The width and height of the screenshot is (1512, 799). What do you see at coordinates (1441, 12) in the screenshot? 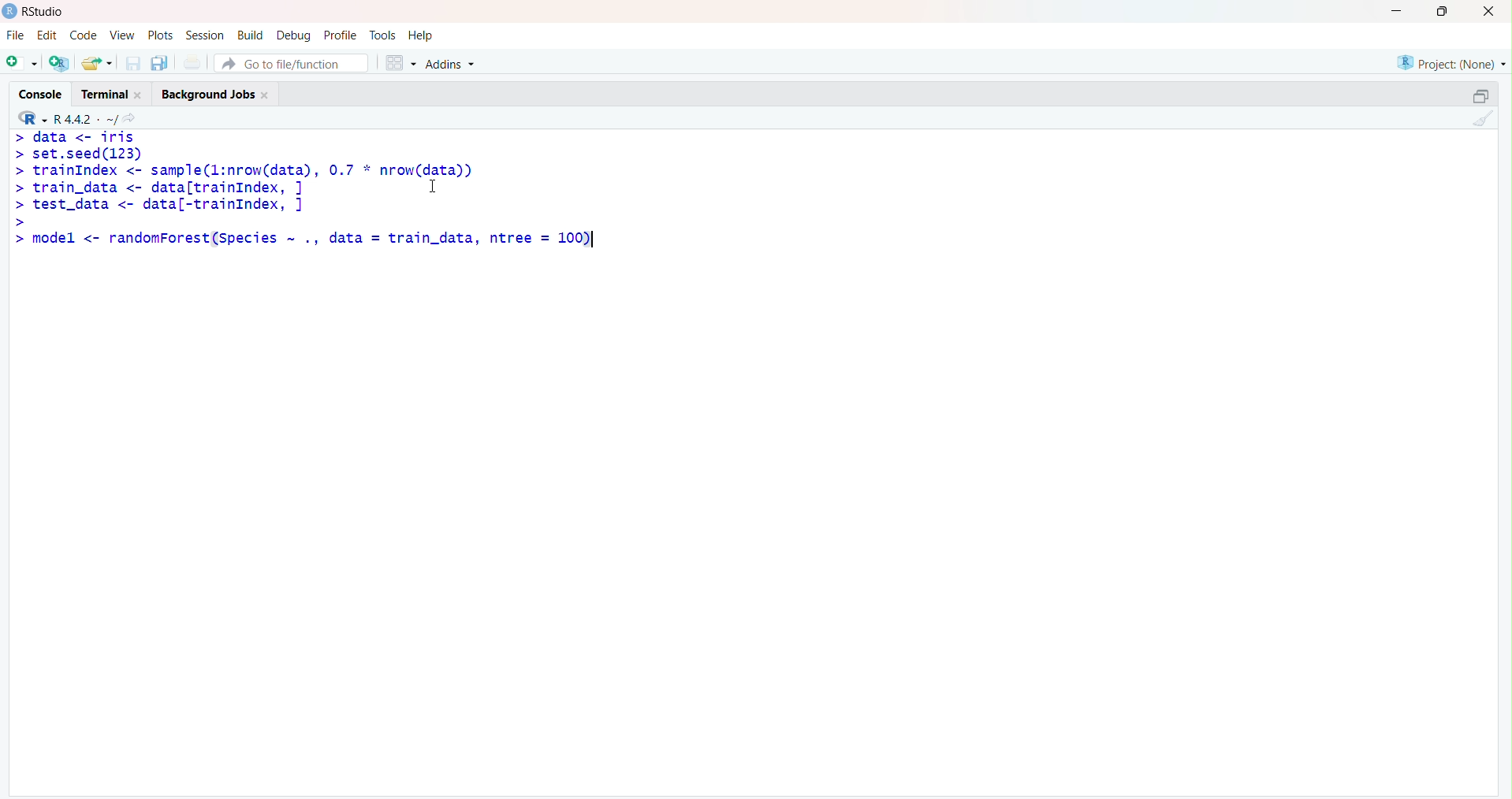
I see `Maximize` at bounding box center [1441, 12].